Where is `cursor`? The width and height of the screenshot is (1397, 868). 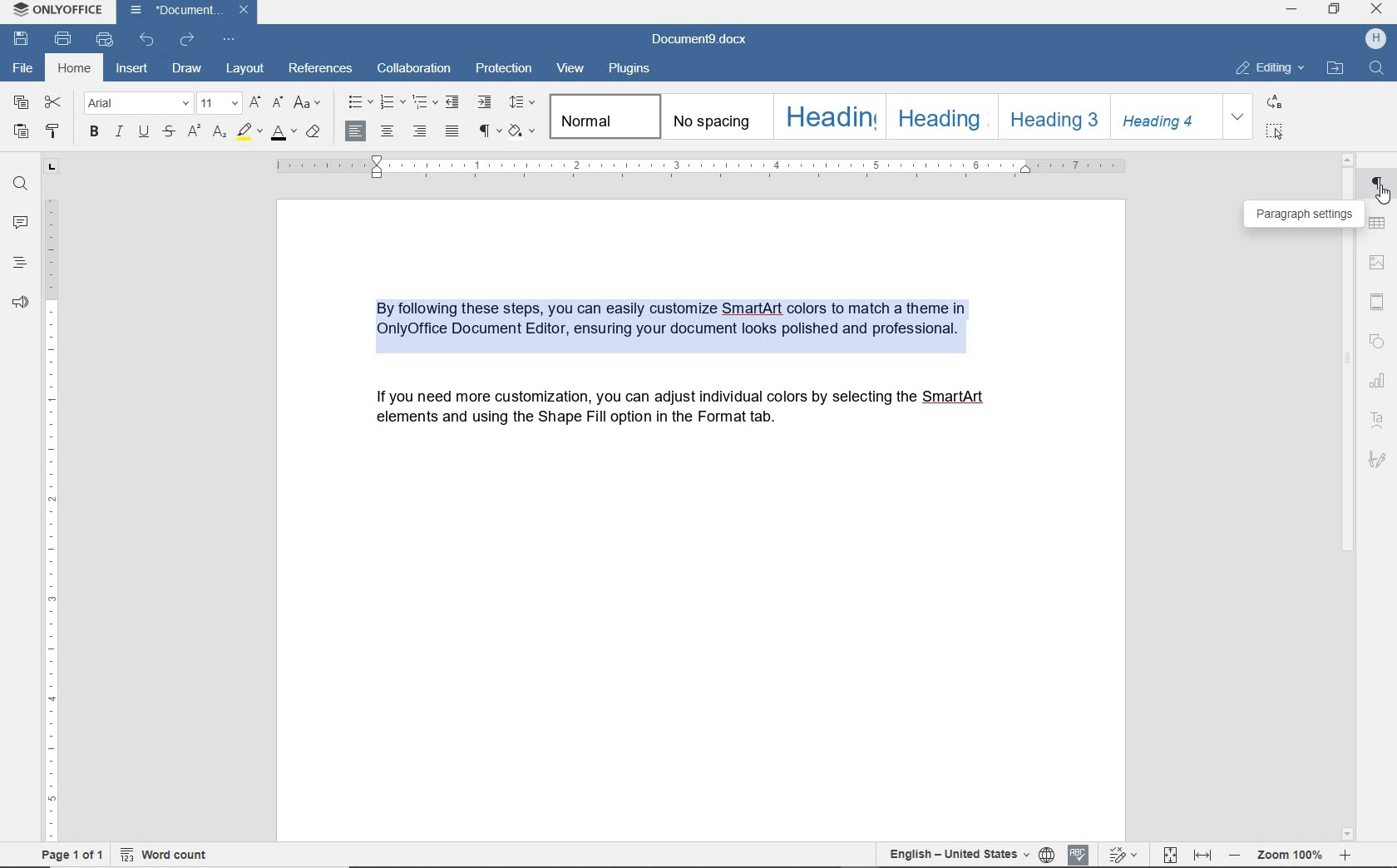 cursor is located at coordinates (1385, 195).